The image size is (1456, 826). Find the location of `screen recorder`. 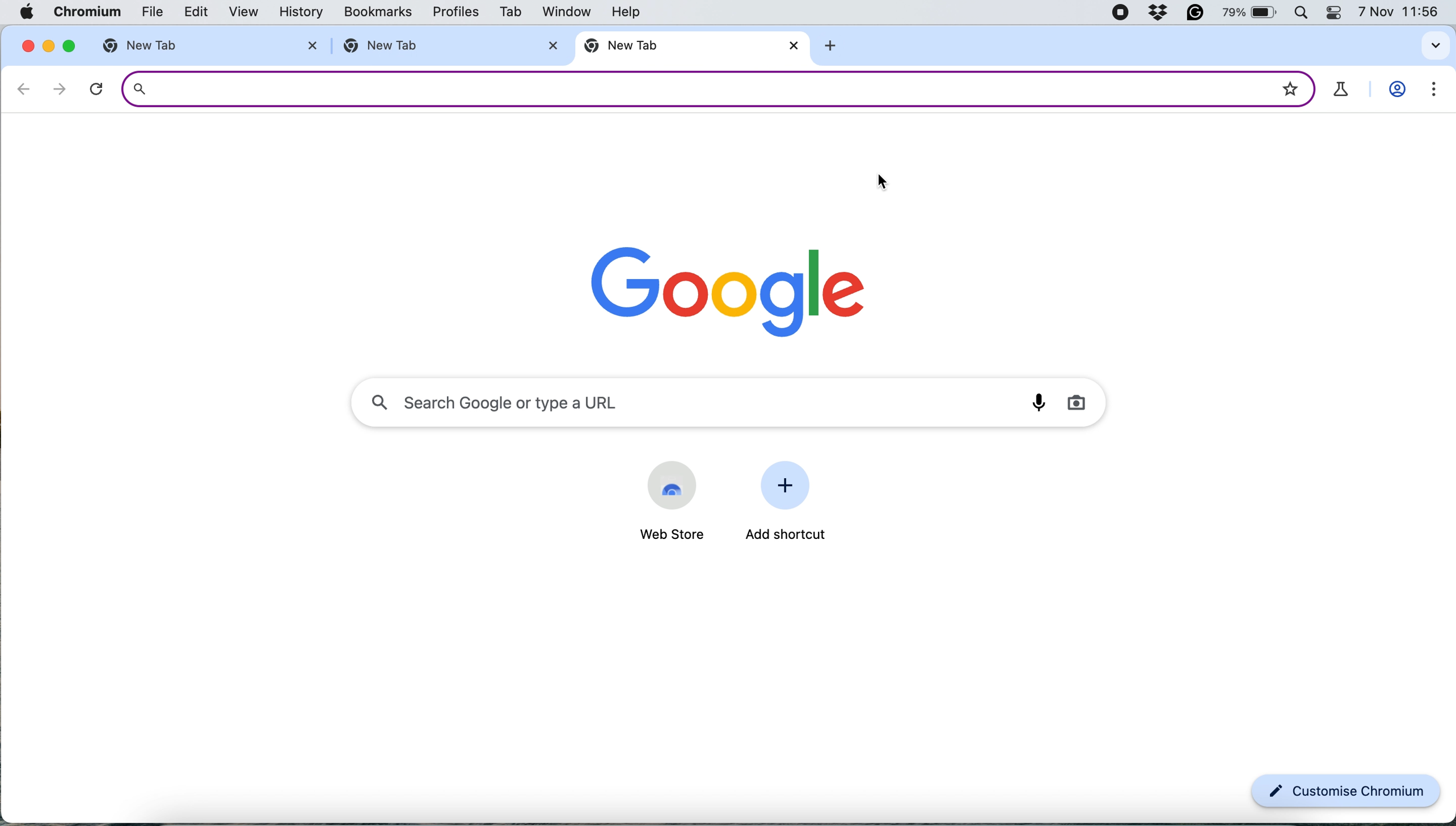

screen recorder is located at coordinates (1120, 14).